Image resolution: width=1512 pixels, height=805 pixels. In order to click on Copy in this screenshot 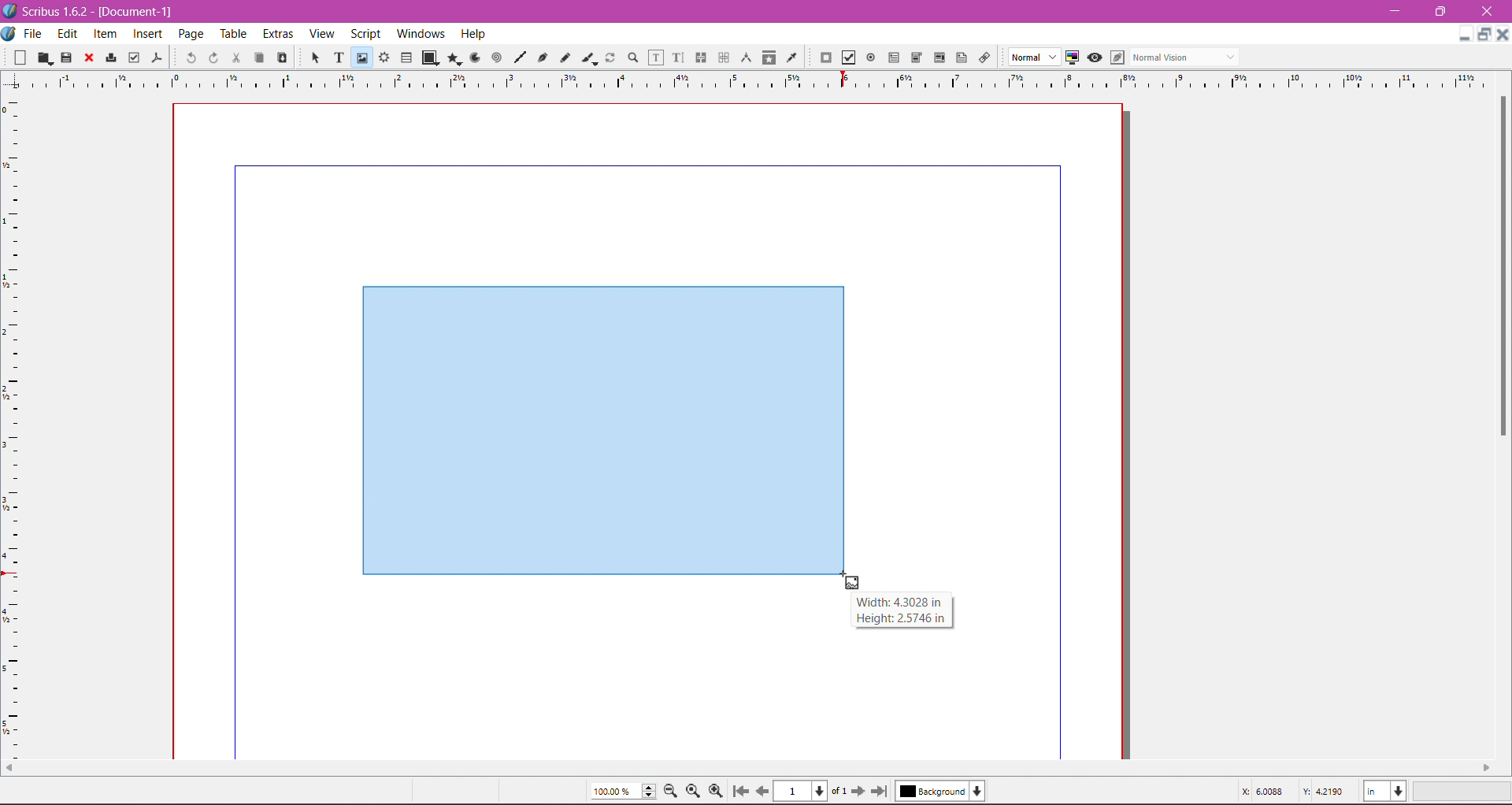, I will do `click(258, 57)`.